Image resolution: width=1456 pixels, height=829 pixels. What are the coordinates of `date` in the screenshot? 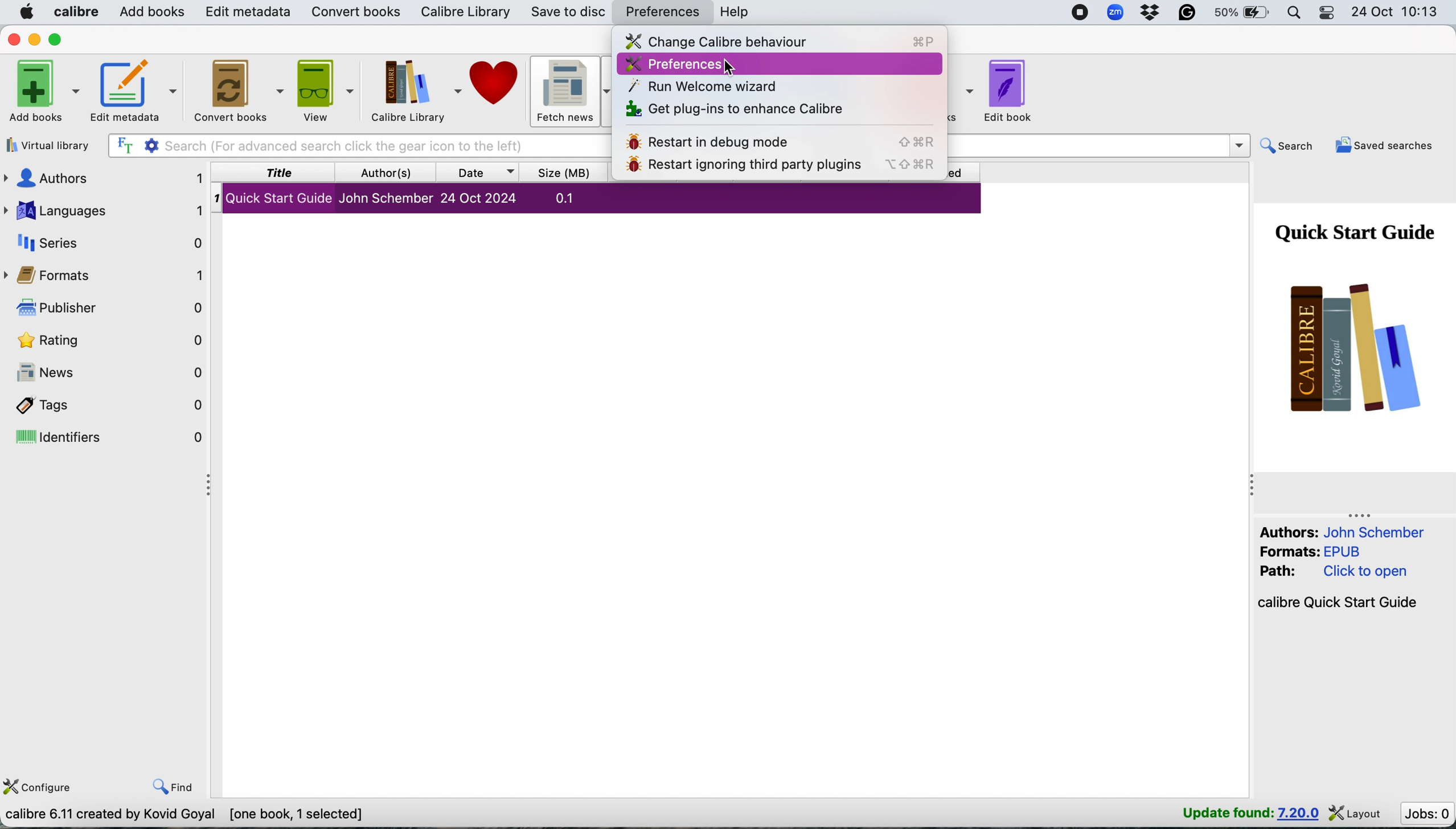 It's located at (482, 174).